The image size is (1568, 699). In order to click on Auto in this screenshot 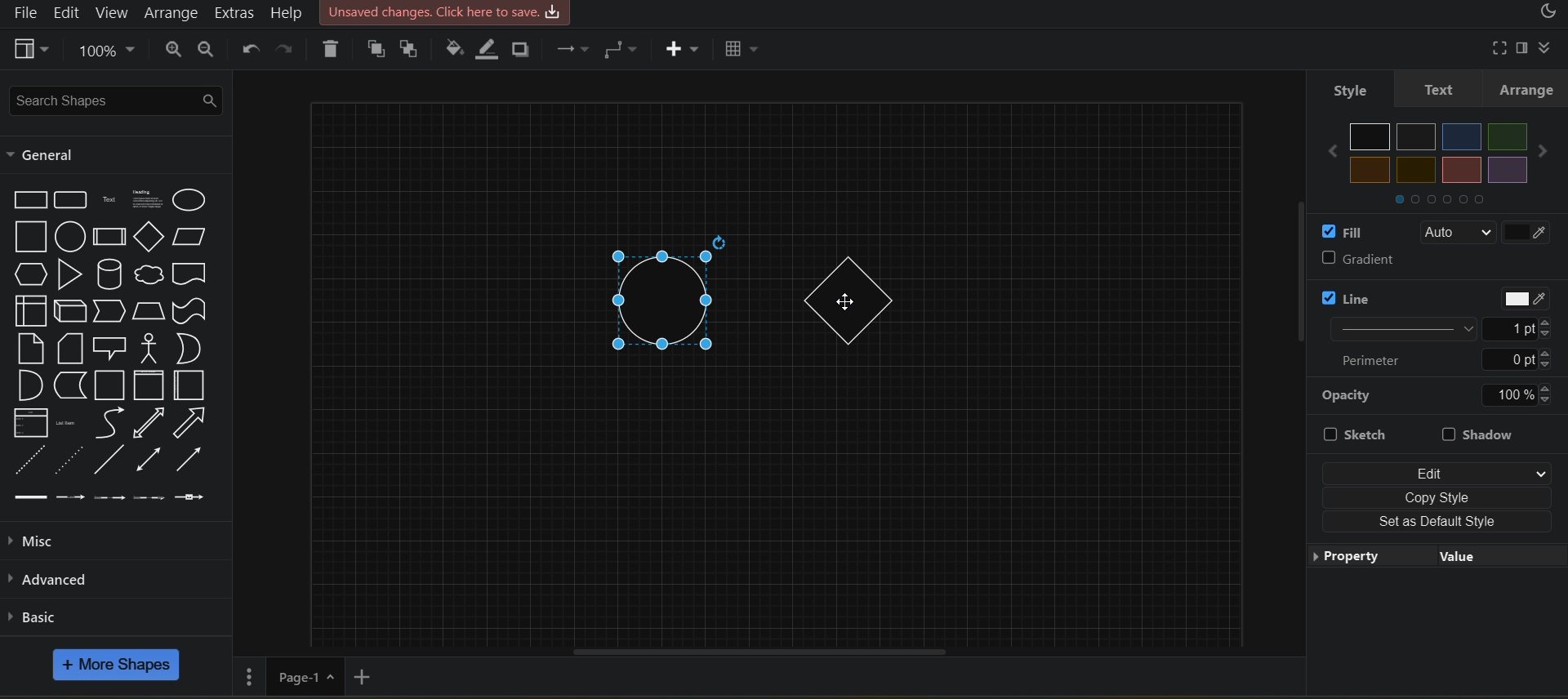, I will do `click(1450, 230)`.